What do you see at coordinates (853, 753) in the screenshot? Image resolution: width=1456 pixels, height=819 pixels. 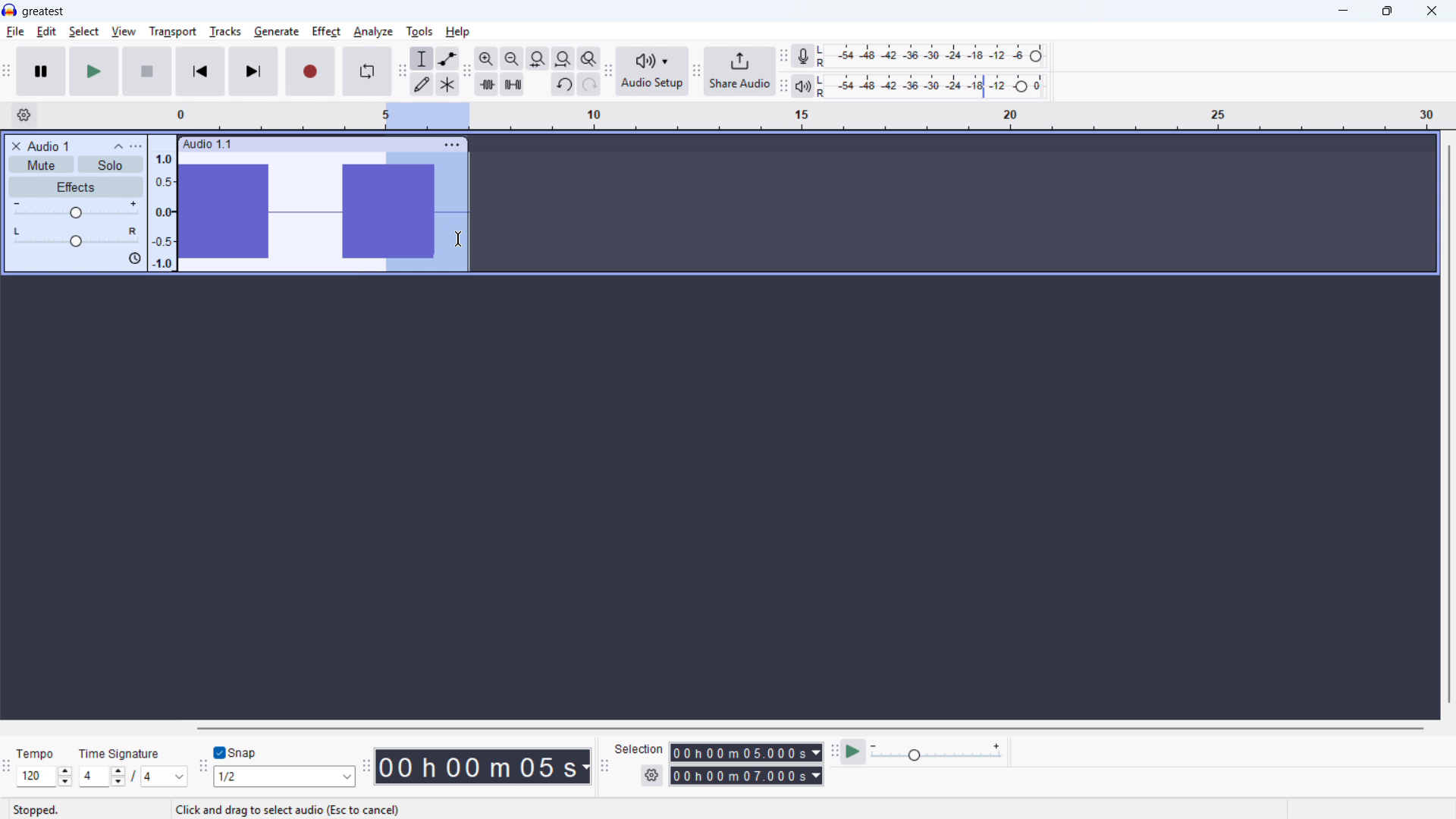 I see `Play at speed ` at bounding box center [853, 753].